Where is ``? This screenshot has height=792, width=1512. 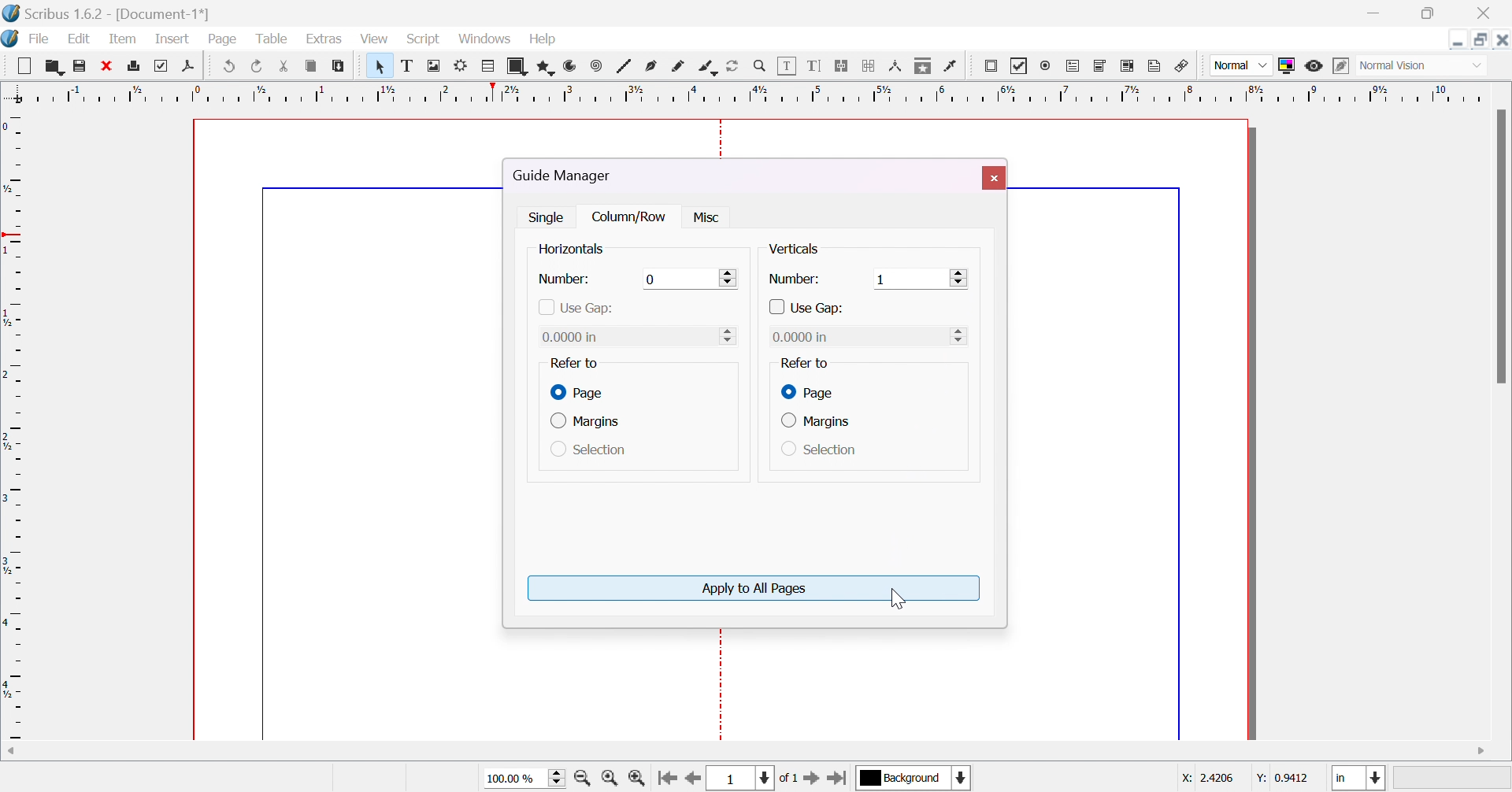  is located at coordinates (728, 335).